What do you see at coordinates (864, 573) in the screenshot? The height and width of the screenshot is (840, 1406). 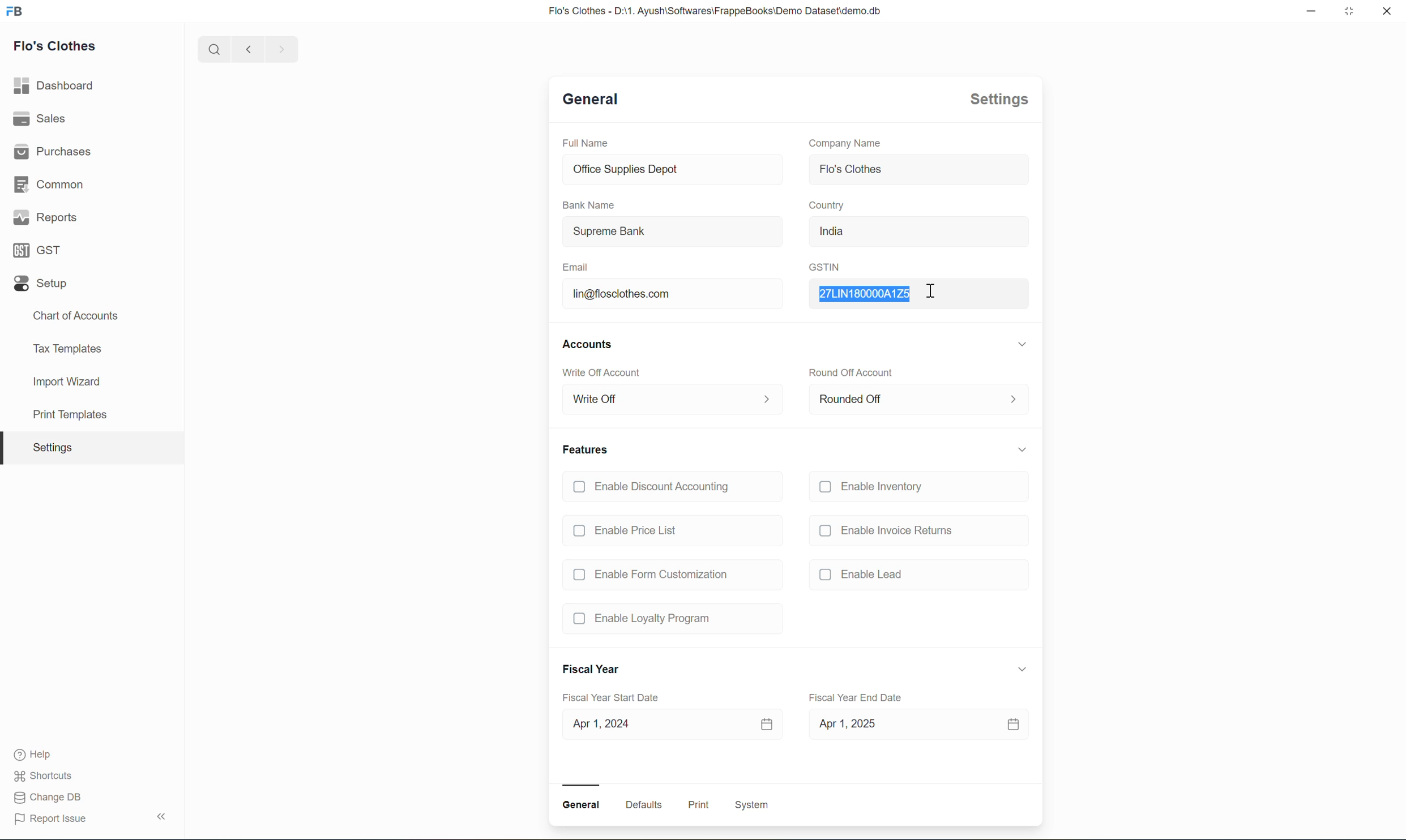 I see `(J Enable Lead` at bounding box center [864, 573].